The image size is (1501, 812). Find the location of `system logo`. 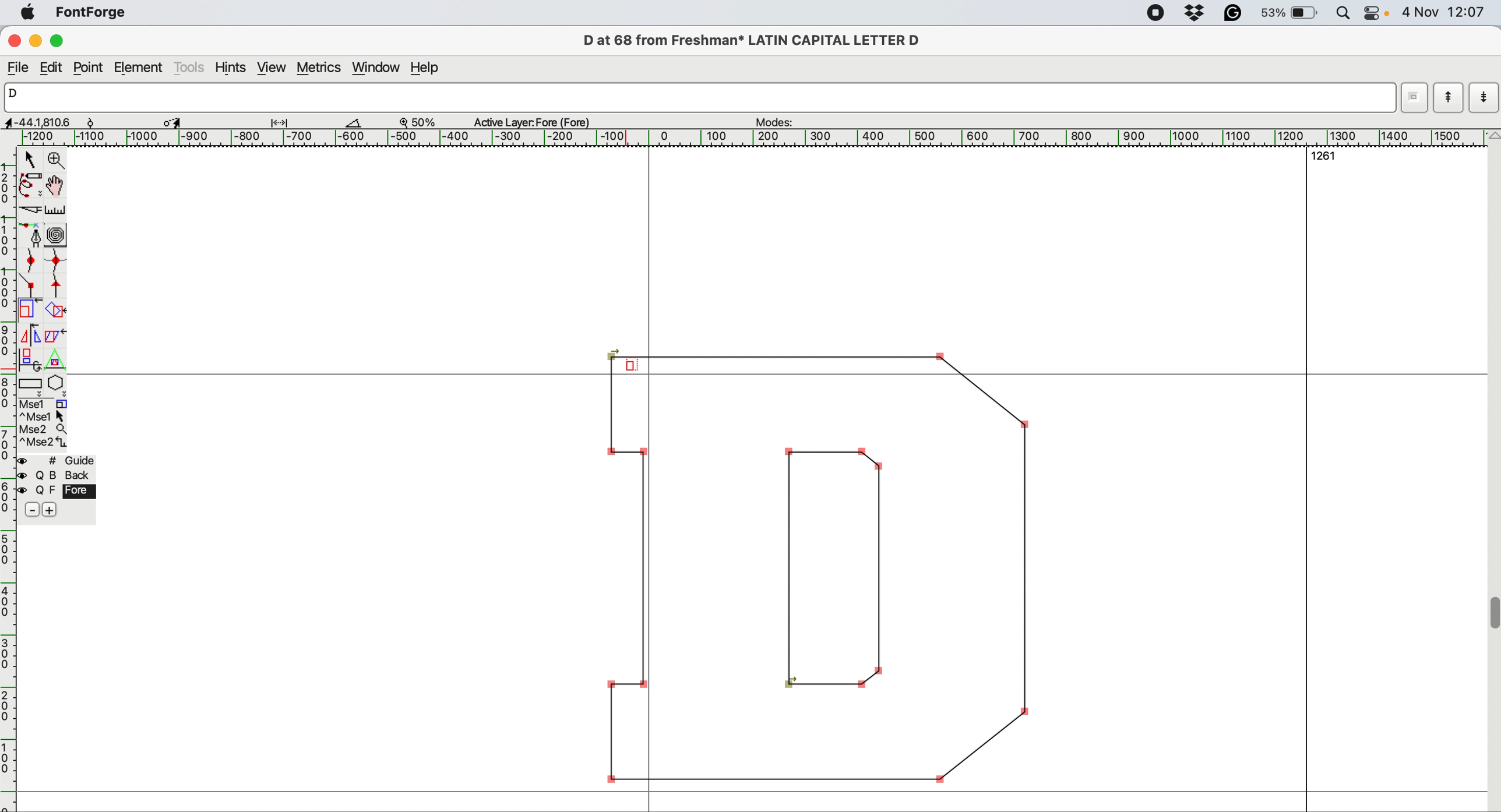

system logo is located at coordinates (29, 14).